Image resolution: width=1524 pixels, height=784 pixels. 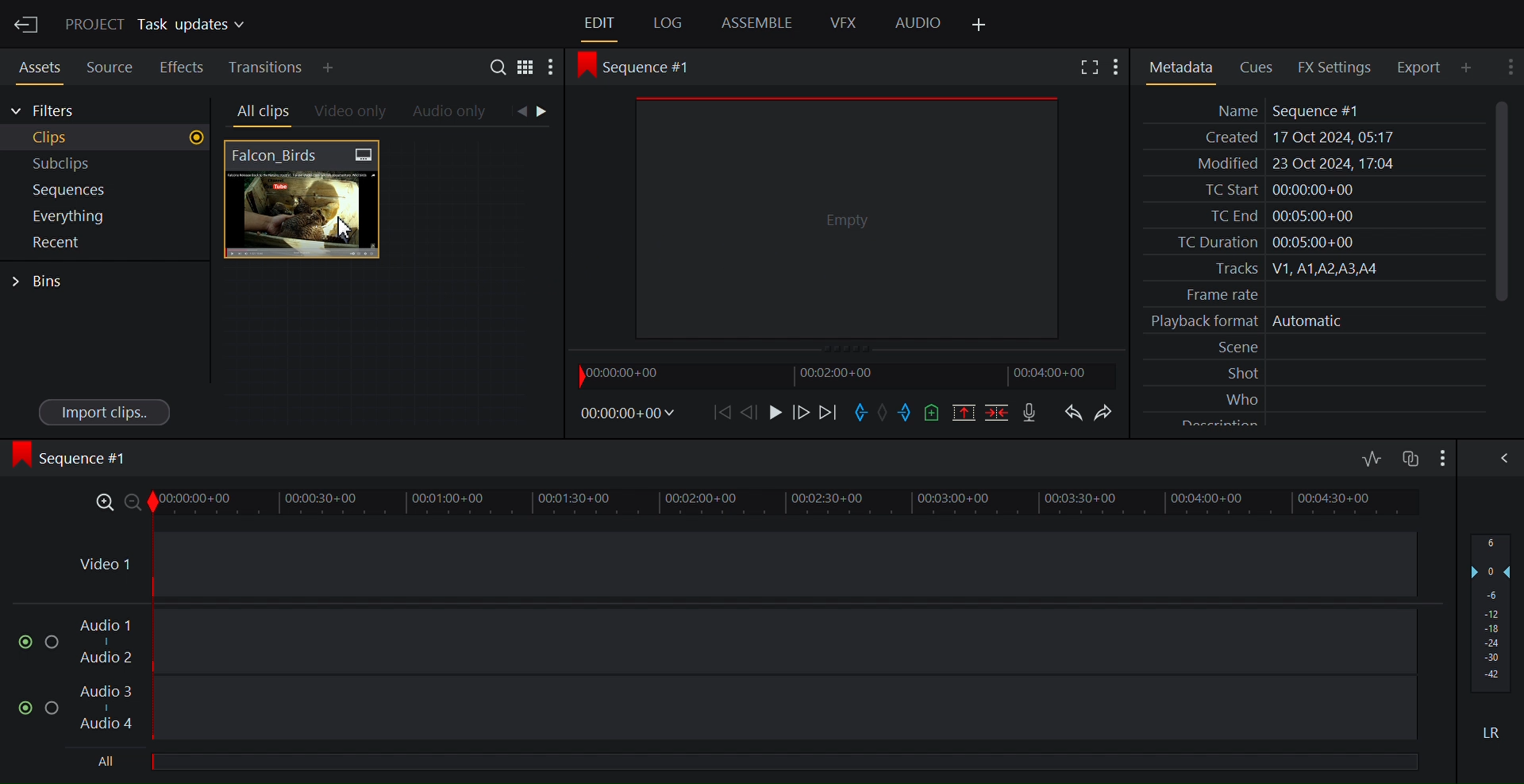 I want to click on Exit the current project, so click(x=25, y=24).